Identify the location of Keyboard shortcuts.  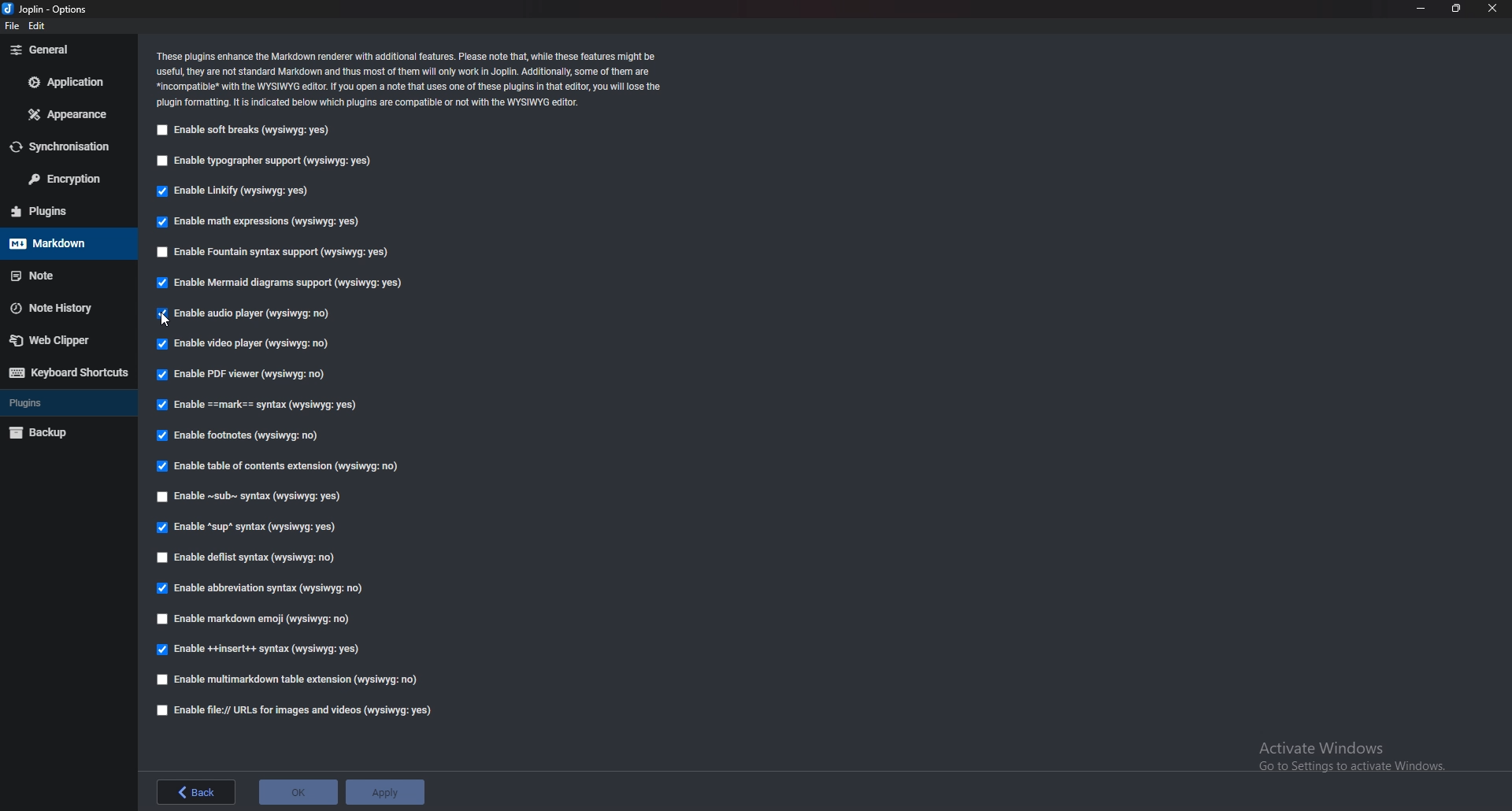
(69, 372).